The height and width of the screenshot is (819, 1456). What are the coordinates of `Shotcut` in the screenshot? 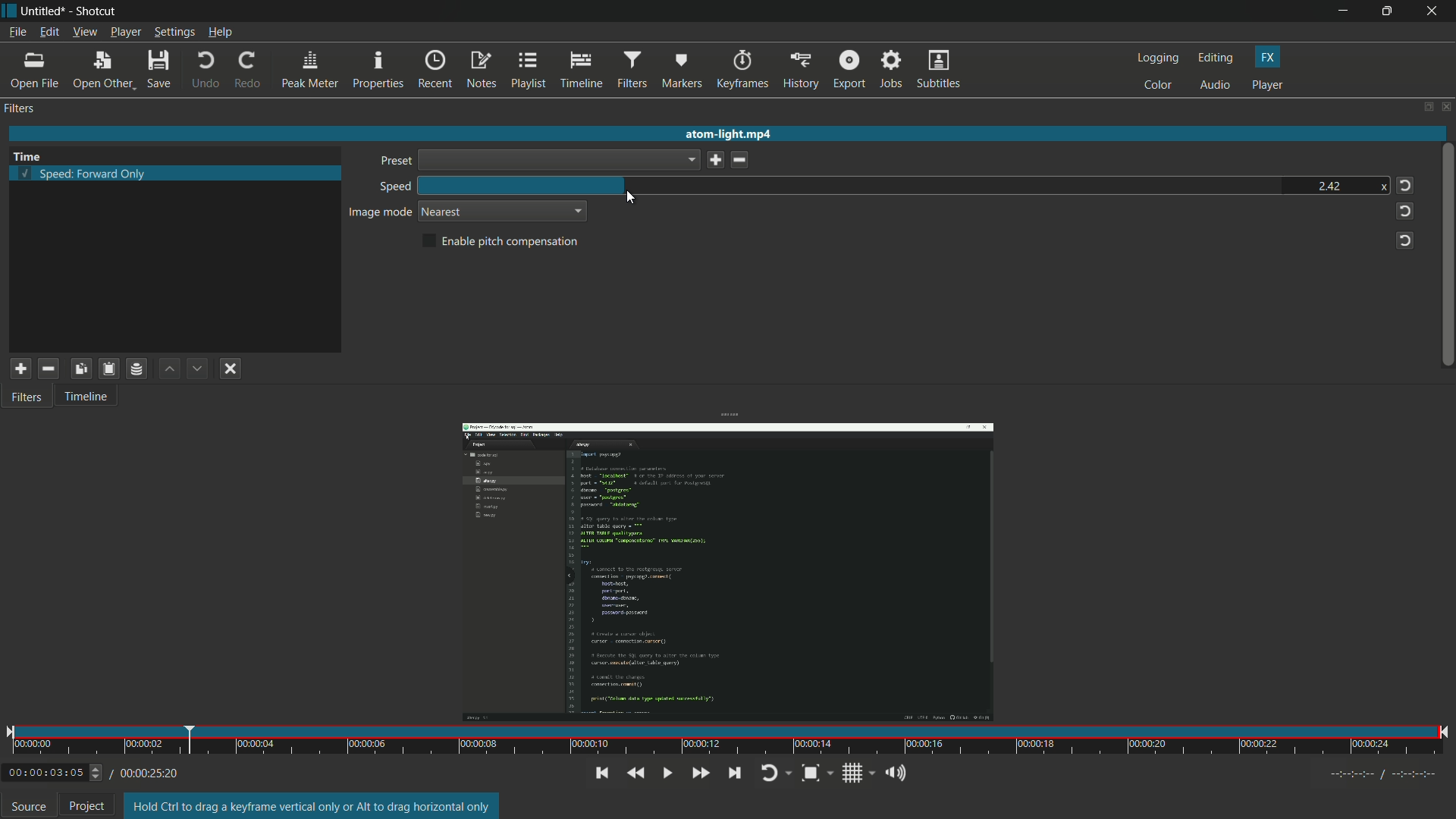 It's located at (98, 11).